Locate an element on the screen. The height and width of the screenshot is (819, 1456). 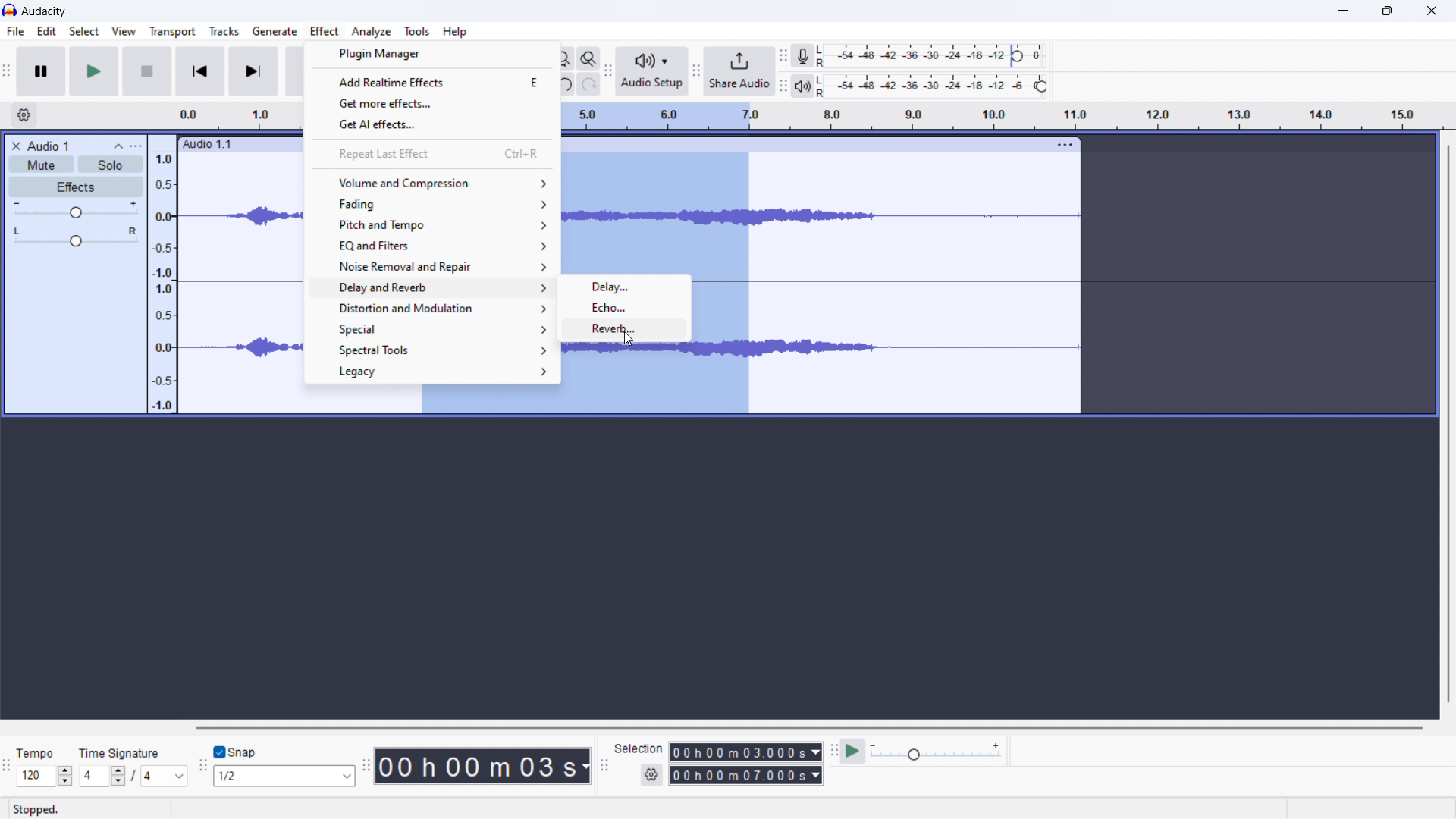
Audio 1 is located at coordinates (49, 145).